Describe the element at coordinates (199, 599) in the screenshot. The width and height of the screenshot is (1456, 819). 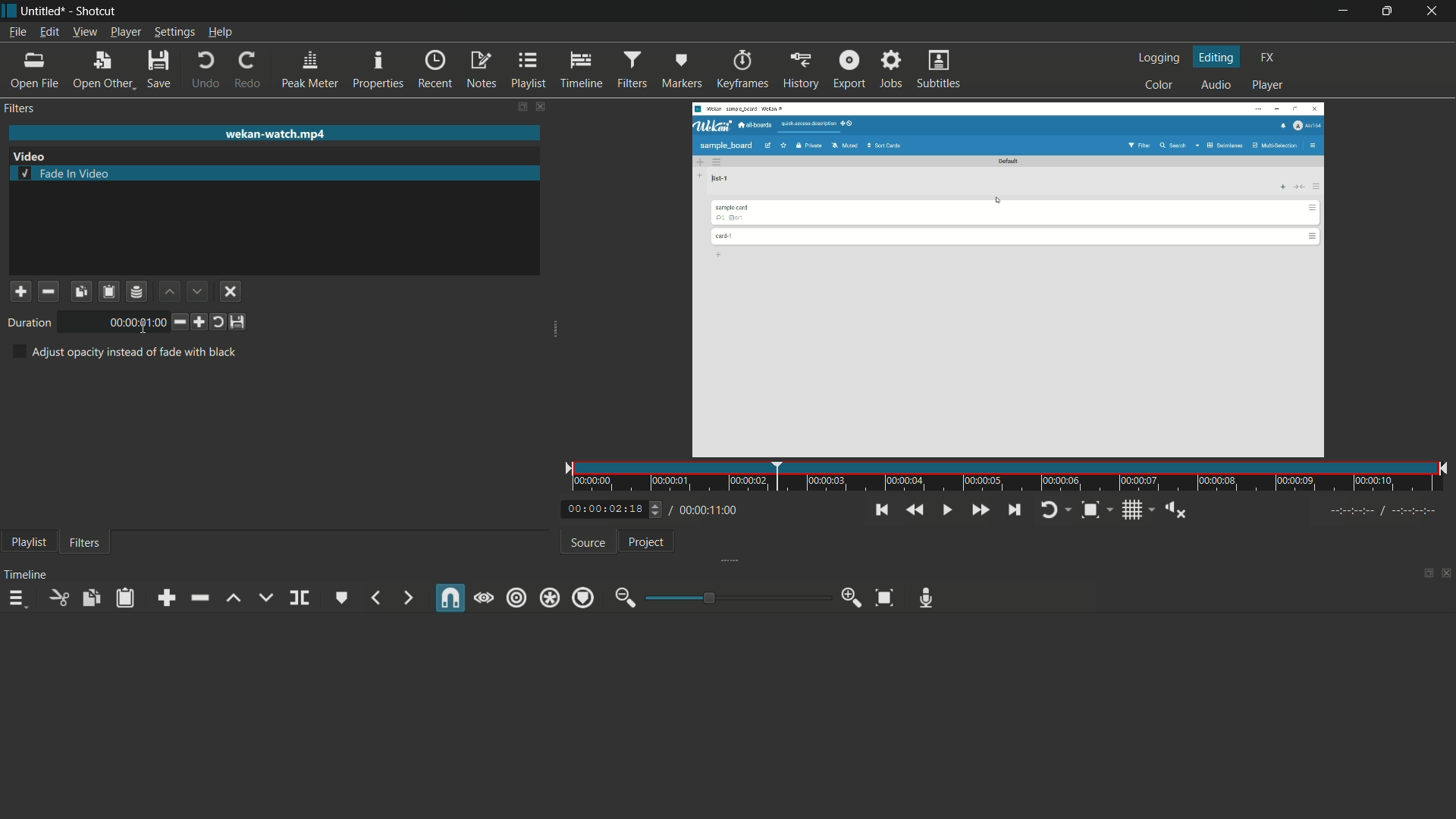
I see `ripple delete` at that location.